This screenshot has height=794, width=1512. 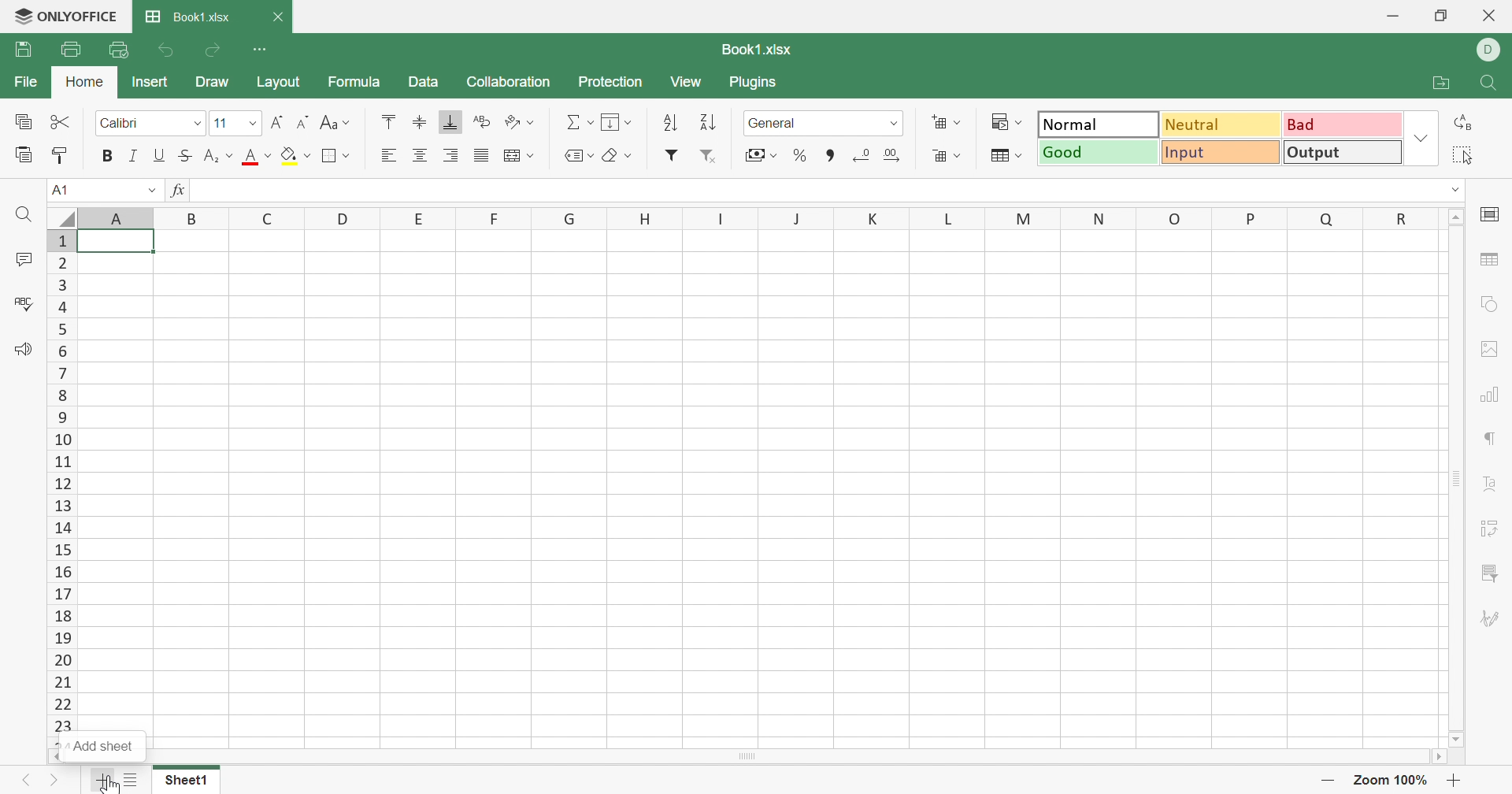 What do you see at coordinates (68, 506) in the screenshot?
I see `13` at bounding box center [68, 506].